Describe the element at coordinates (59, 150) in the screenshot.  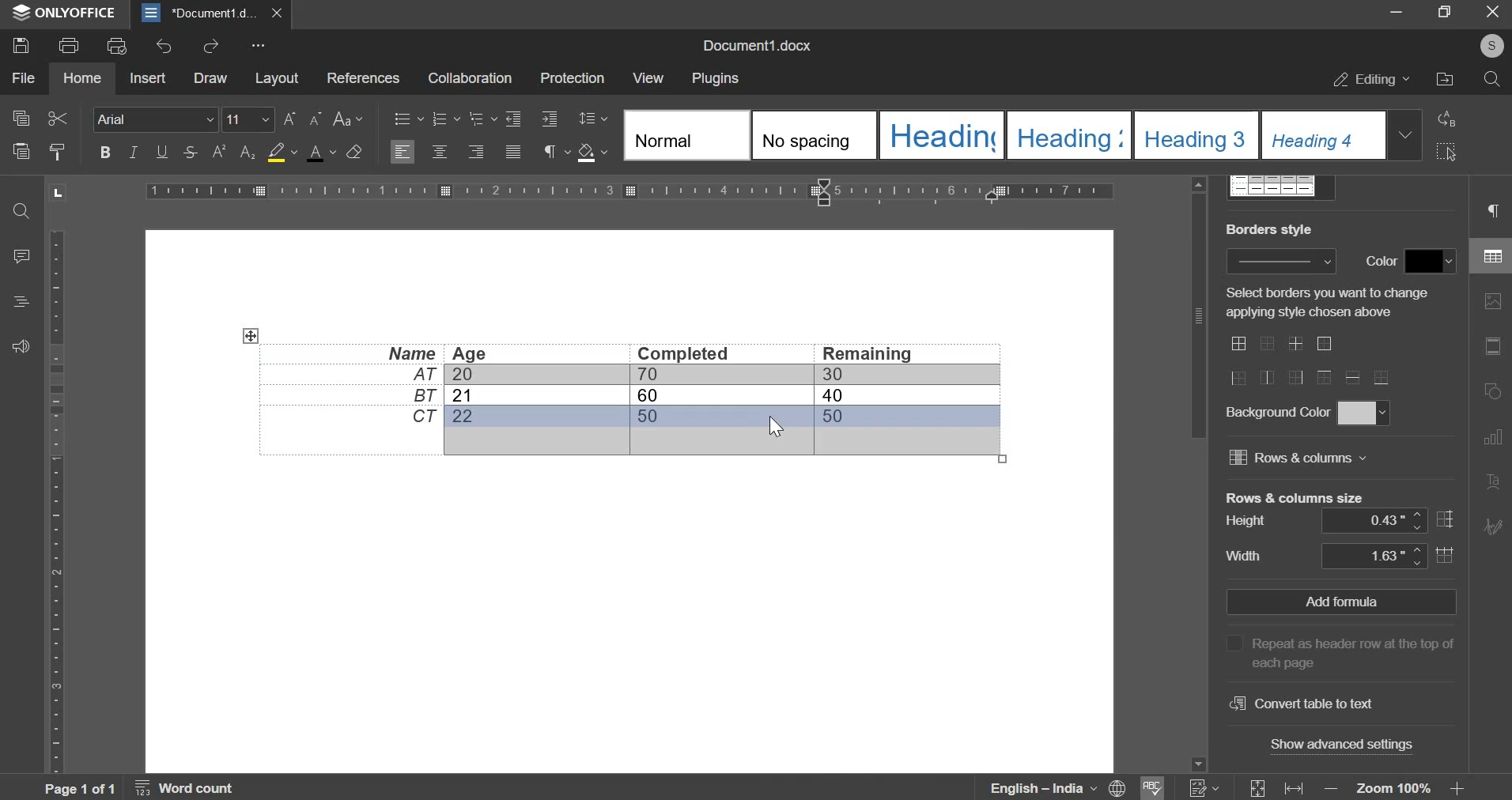
I see `copy style` at that location.